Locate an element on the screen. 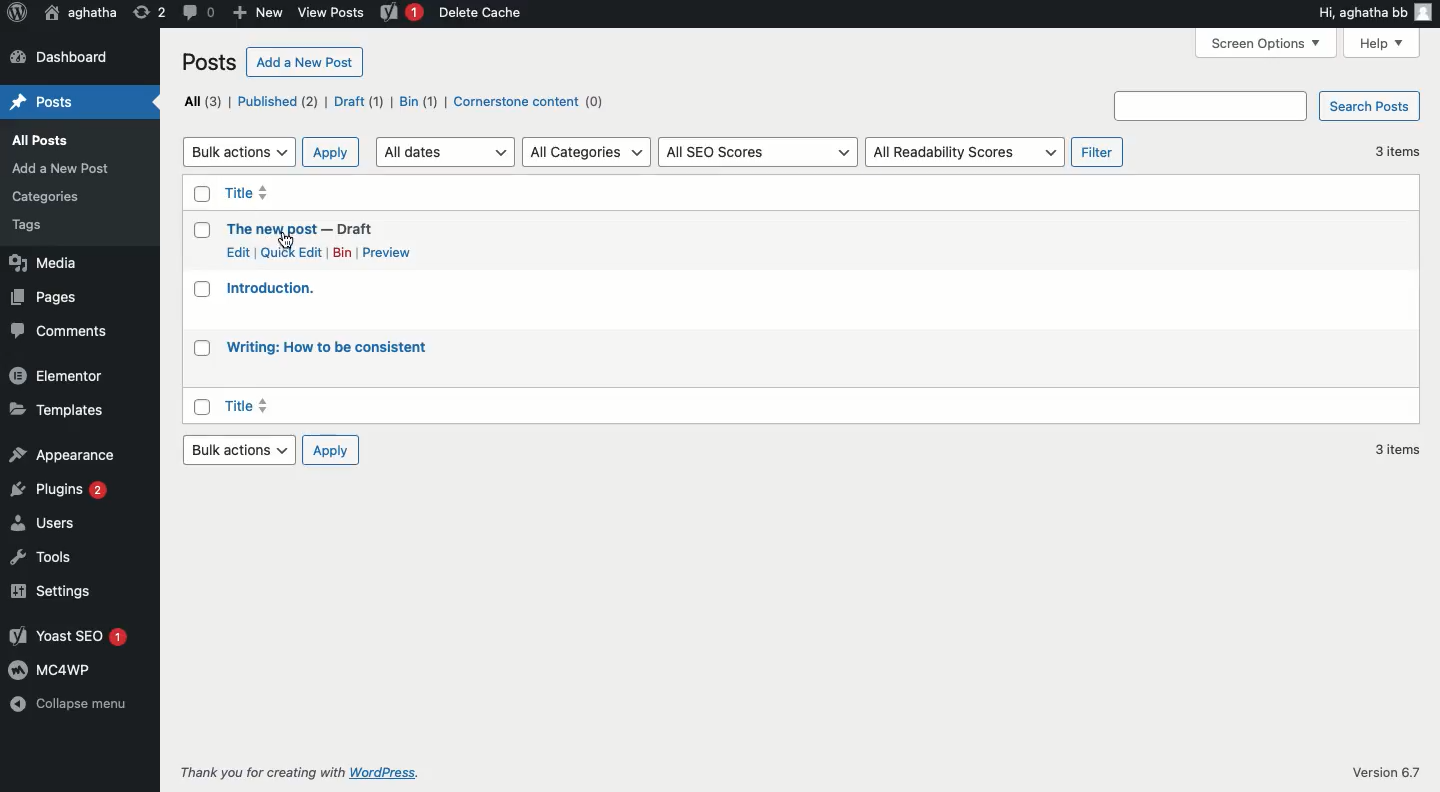  Screen Options is located at coordinates (1265, 44).